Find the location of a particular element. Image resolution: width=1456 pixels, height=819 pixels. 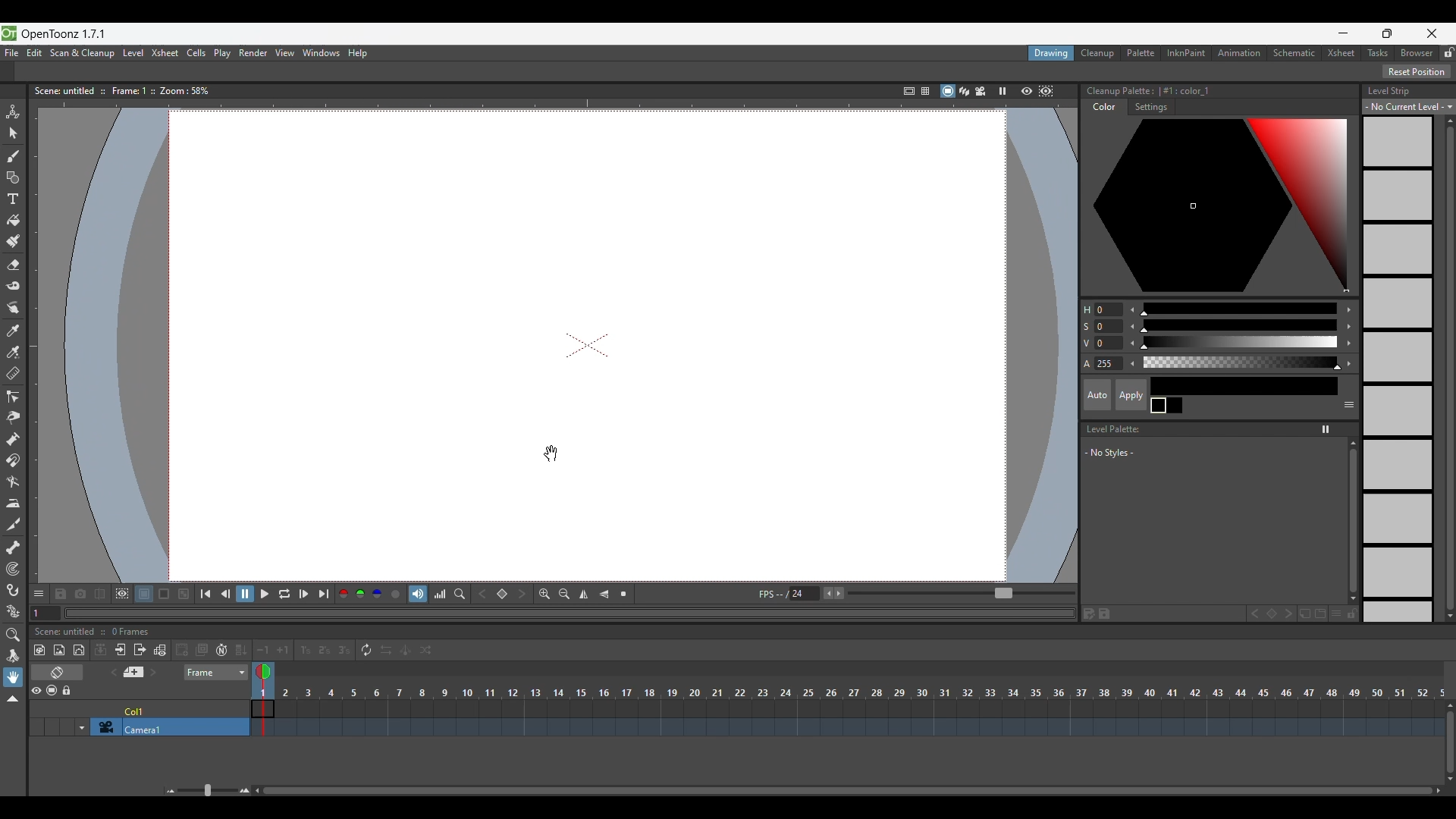

View is located at coordinates (285, 53).